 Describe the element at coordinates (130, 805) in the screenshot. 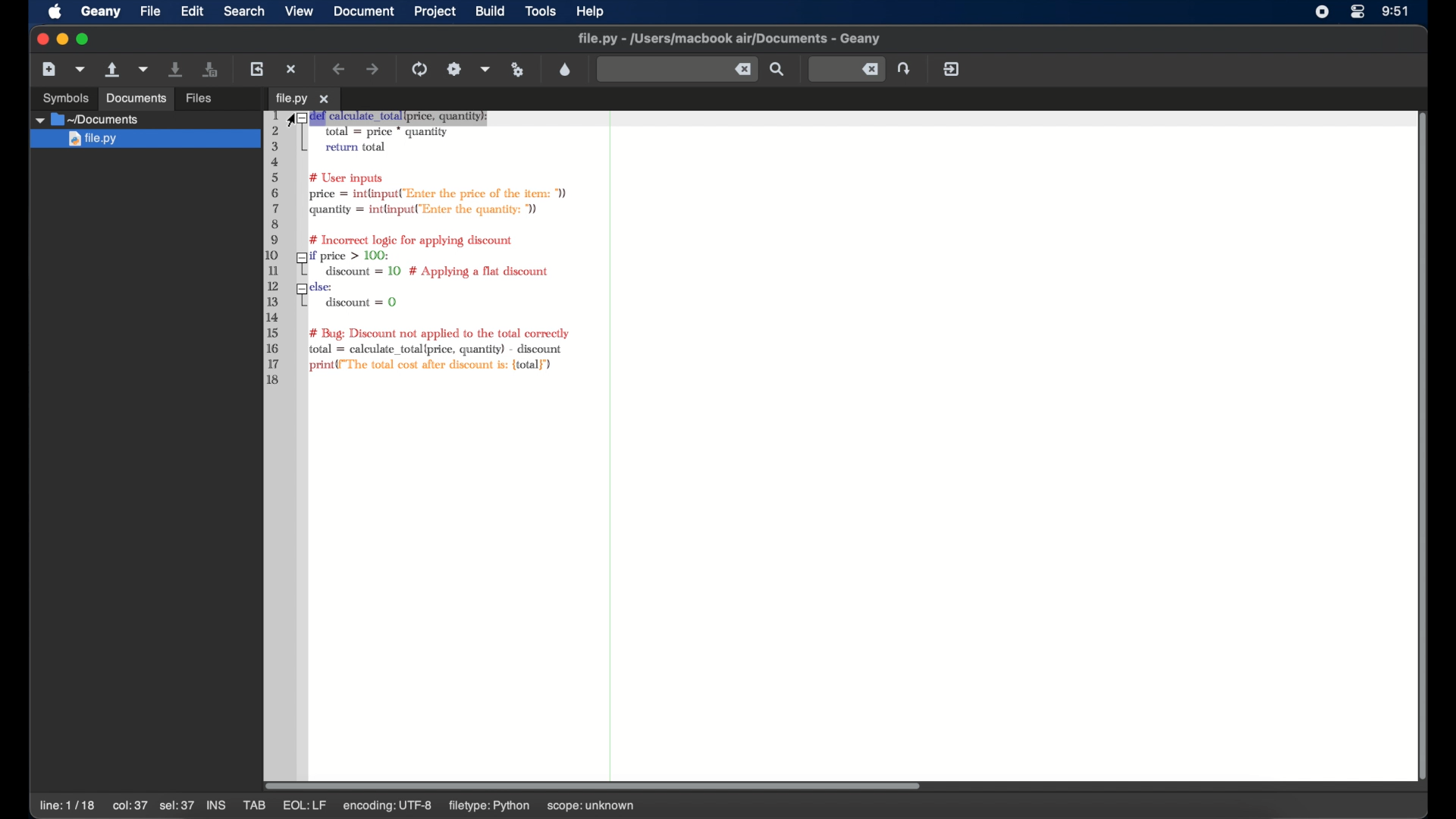

I see `col:37` at that location.